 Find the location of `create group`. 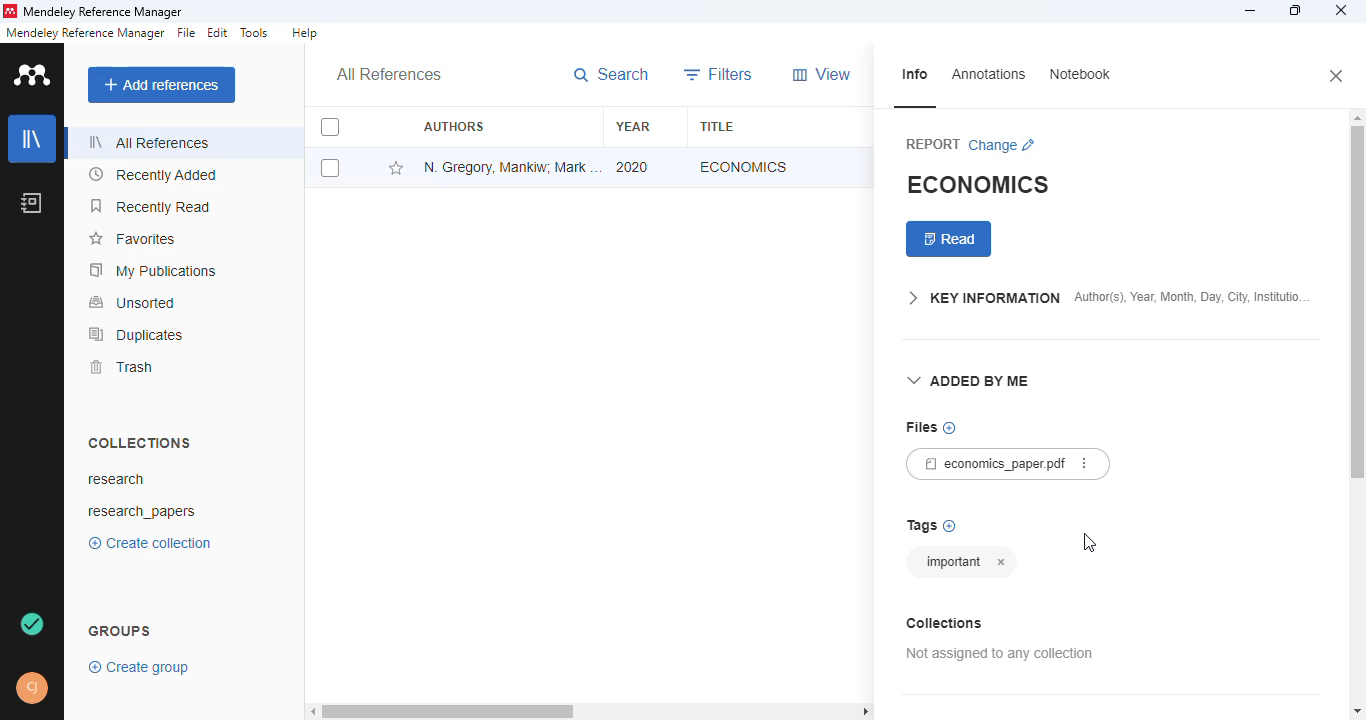

create group is located at coordinates (139, 668).